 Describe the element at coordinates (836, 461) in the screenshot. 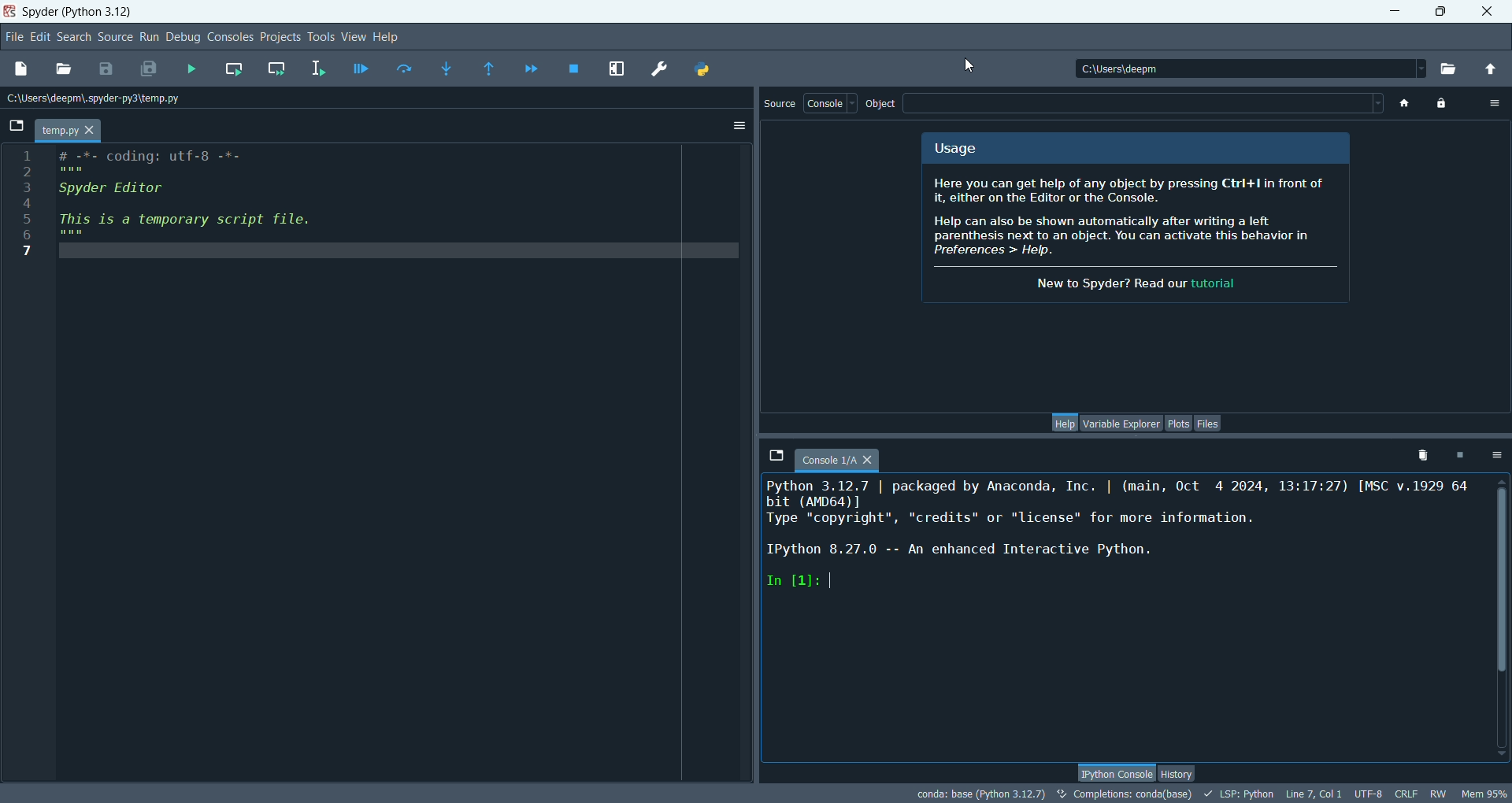

I see `console` at that location.